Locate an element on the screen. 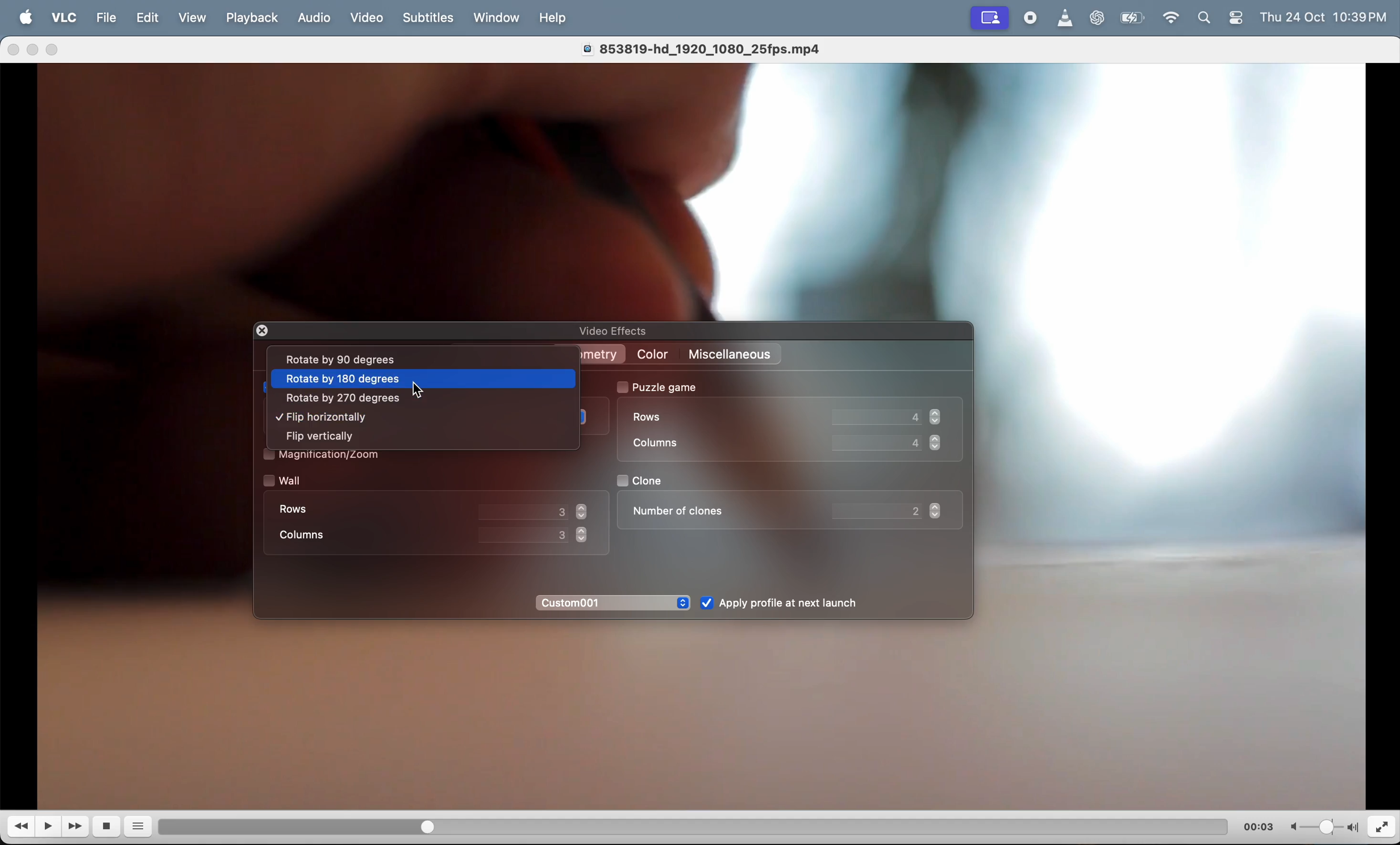 This screenshot has width=1400, height=845. check box is located at coordinates (622, 480).